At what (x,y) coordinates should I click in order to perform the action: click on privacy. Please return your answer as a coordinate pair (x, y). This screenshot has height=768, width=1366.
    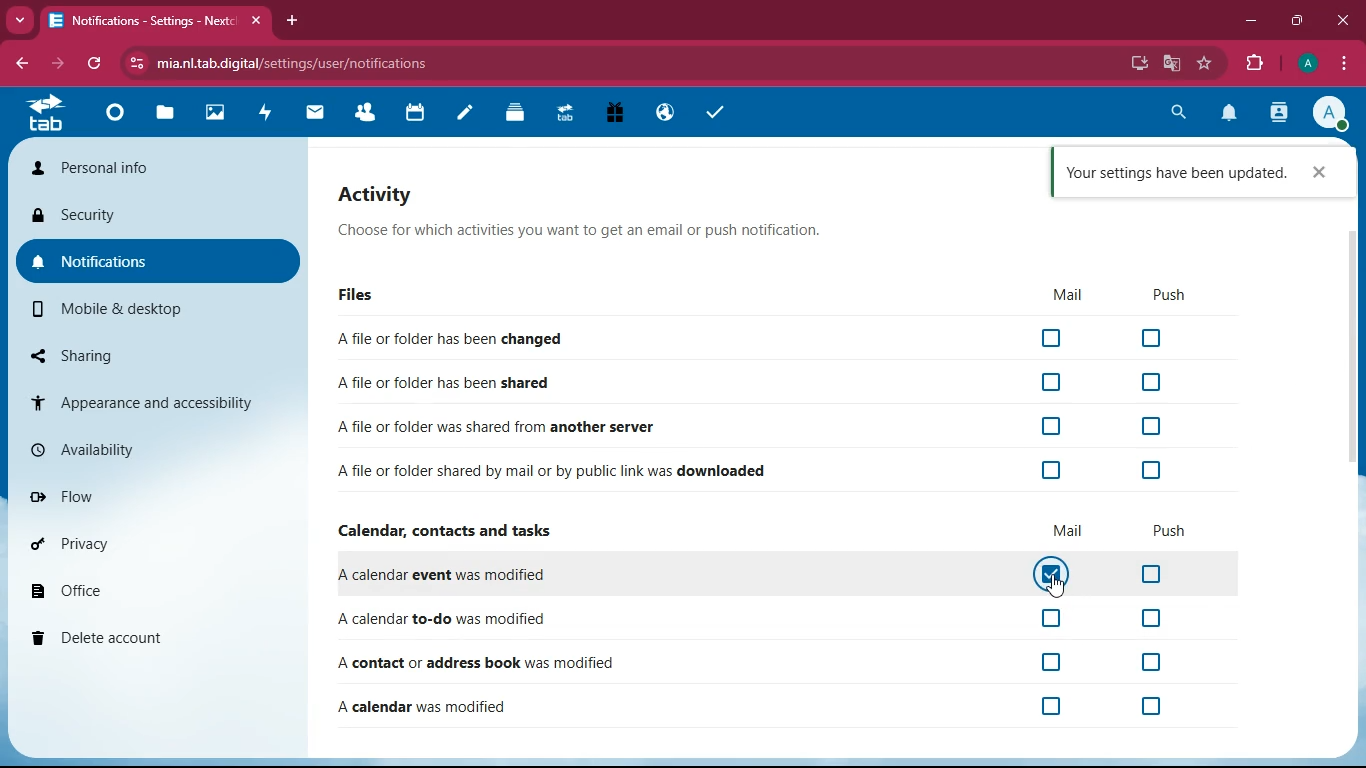
    Looking at the image, I should click on (155, 539).